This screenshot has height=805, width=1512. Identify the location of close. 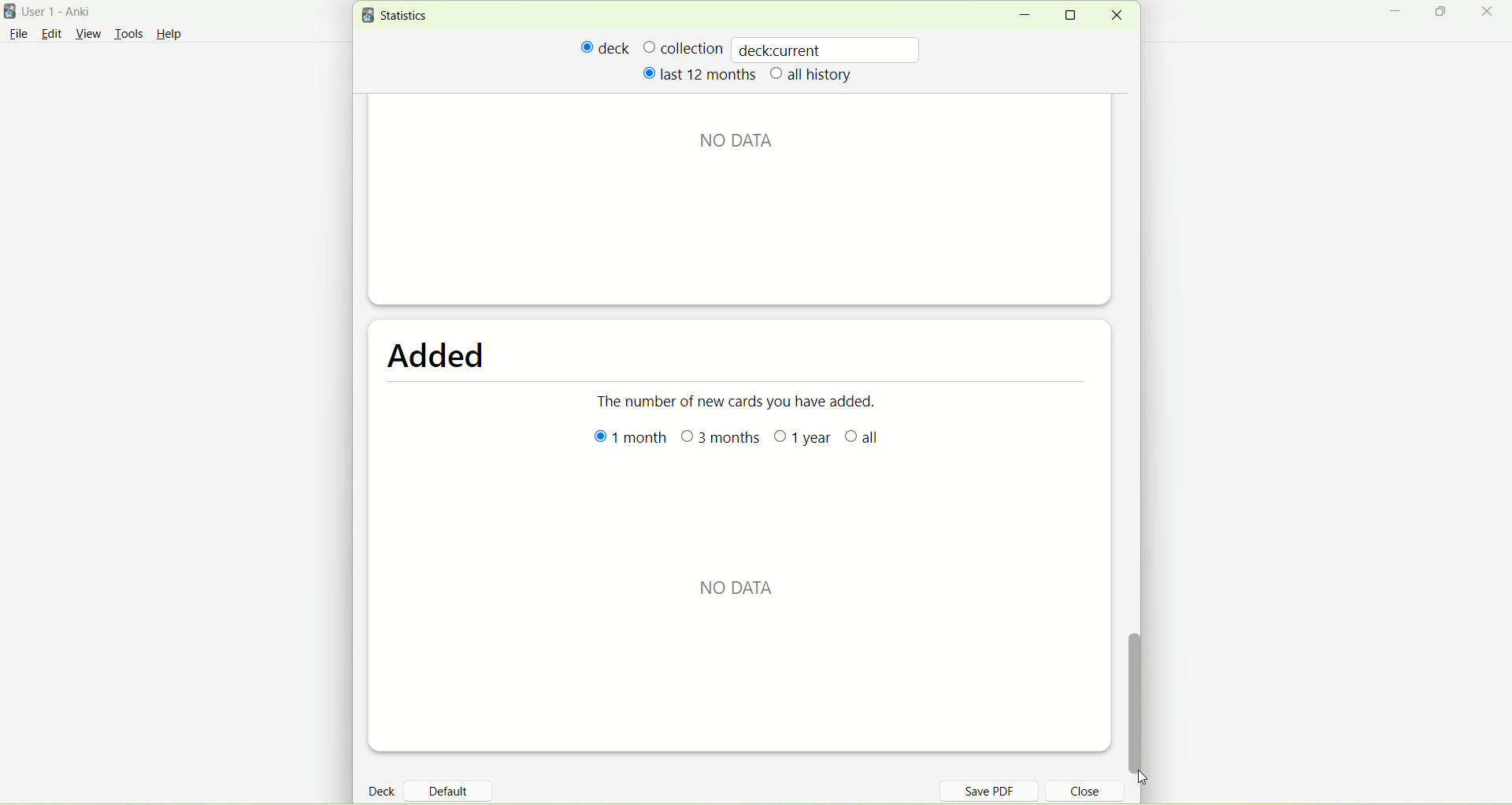
(1116, 16).